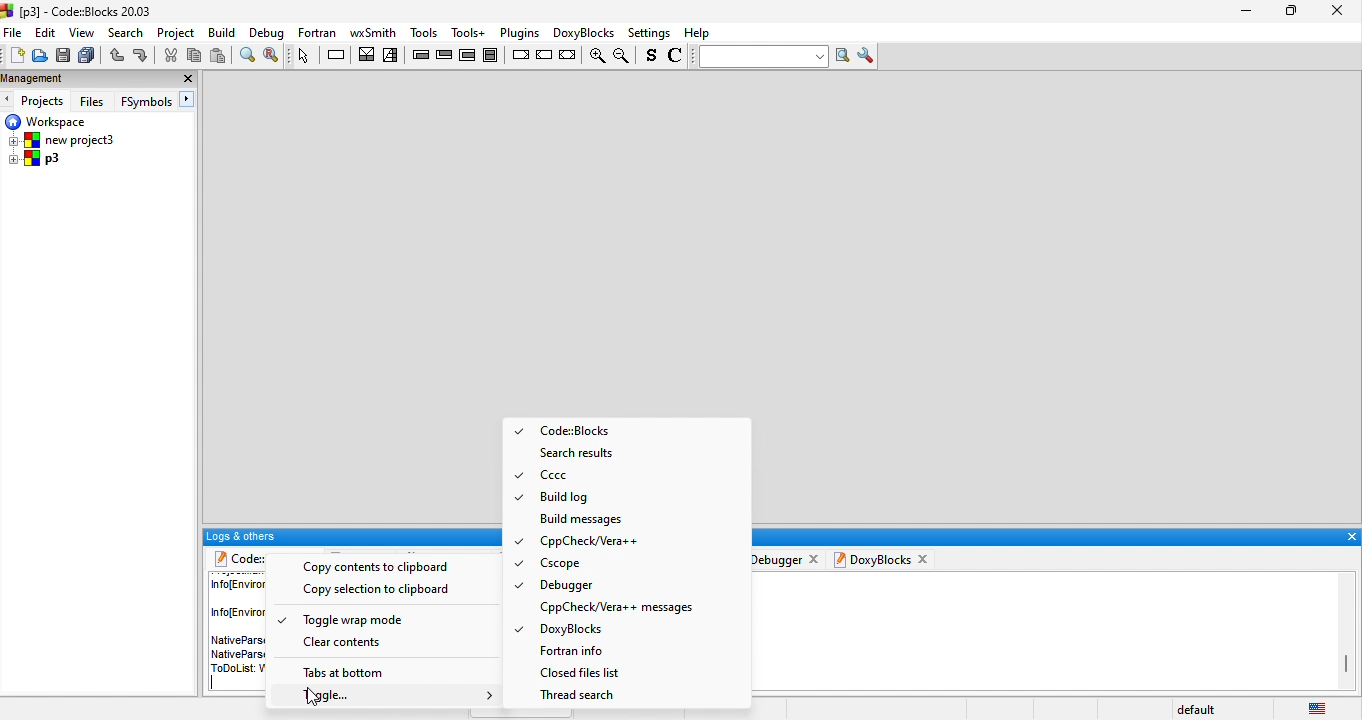  What do you see at coordinates (233, 669) in the screenshot?
I see `todo list` at bounding box center [233, 669].